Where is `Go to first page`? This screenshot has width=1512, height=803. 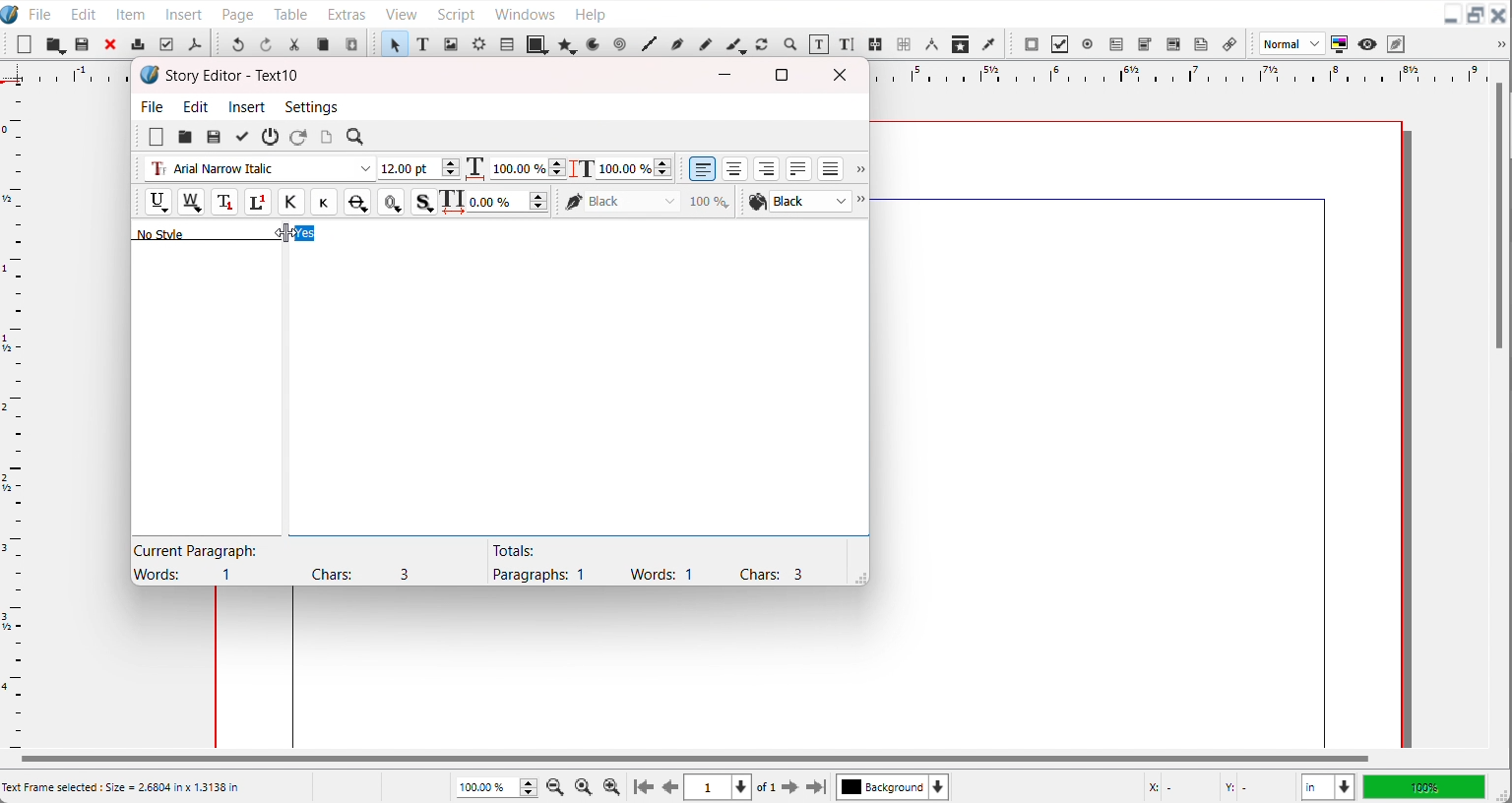 Go to first page is located at coordinates (644, 786).